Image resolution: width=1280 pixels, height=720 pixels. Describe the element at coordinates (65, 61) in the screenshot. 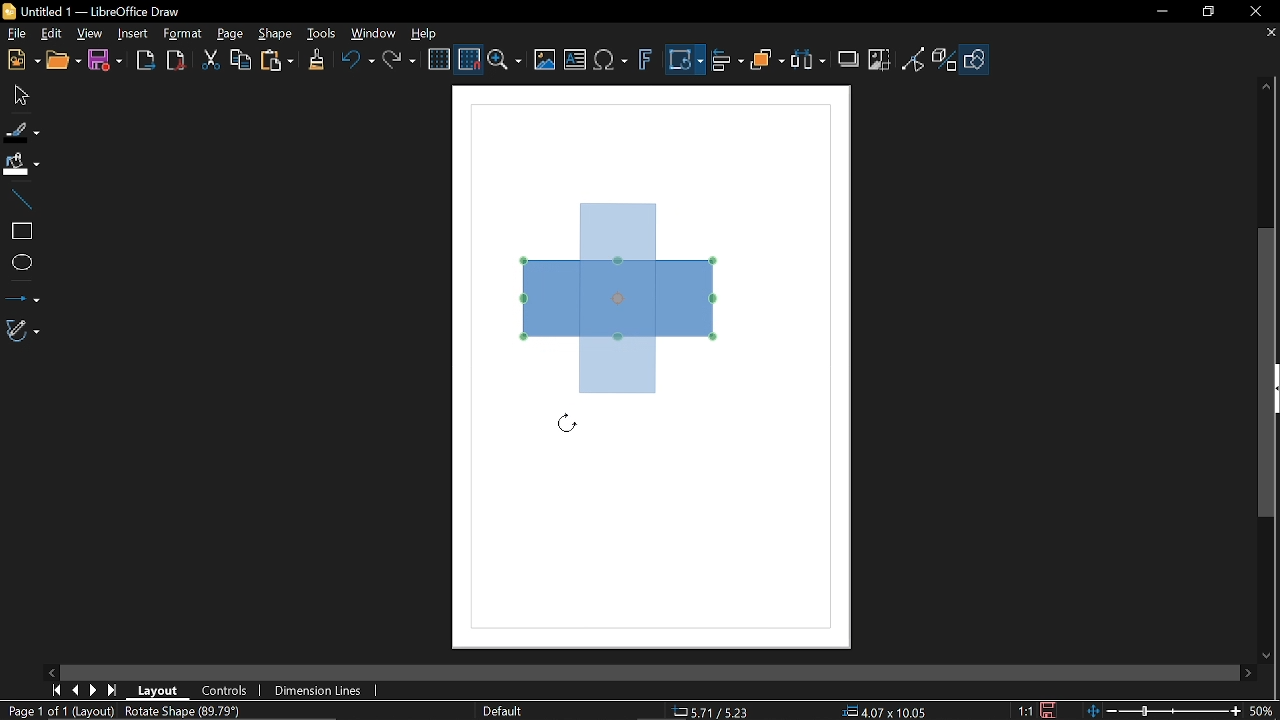

I see `Open` at that location.